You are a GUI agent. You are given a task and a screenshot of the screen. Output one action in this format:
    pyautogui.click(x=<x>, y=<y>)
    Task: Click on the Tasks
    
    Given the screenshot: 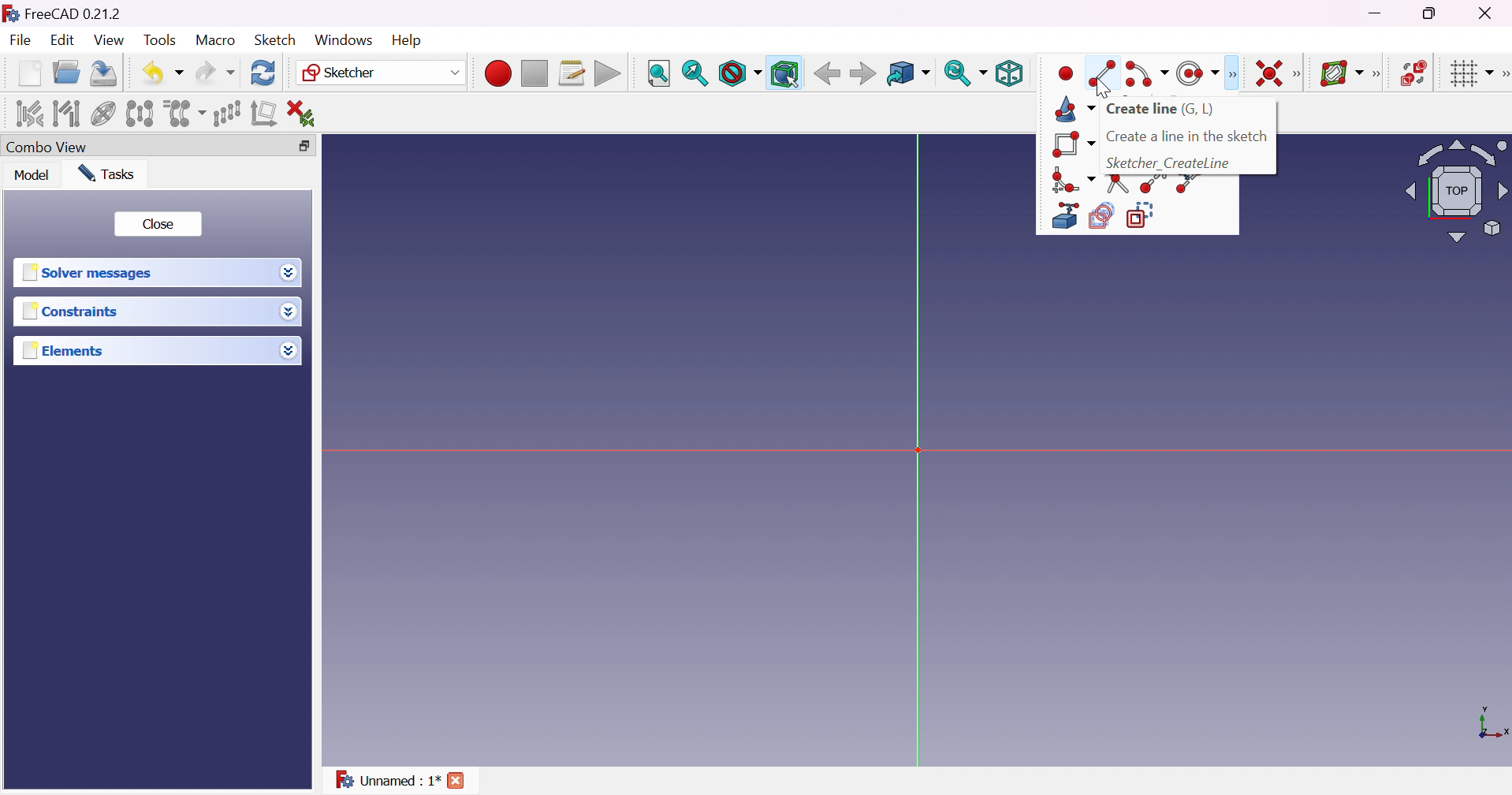 What is the action you would take?
    pyautogui.click(x=112, y=174)
    